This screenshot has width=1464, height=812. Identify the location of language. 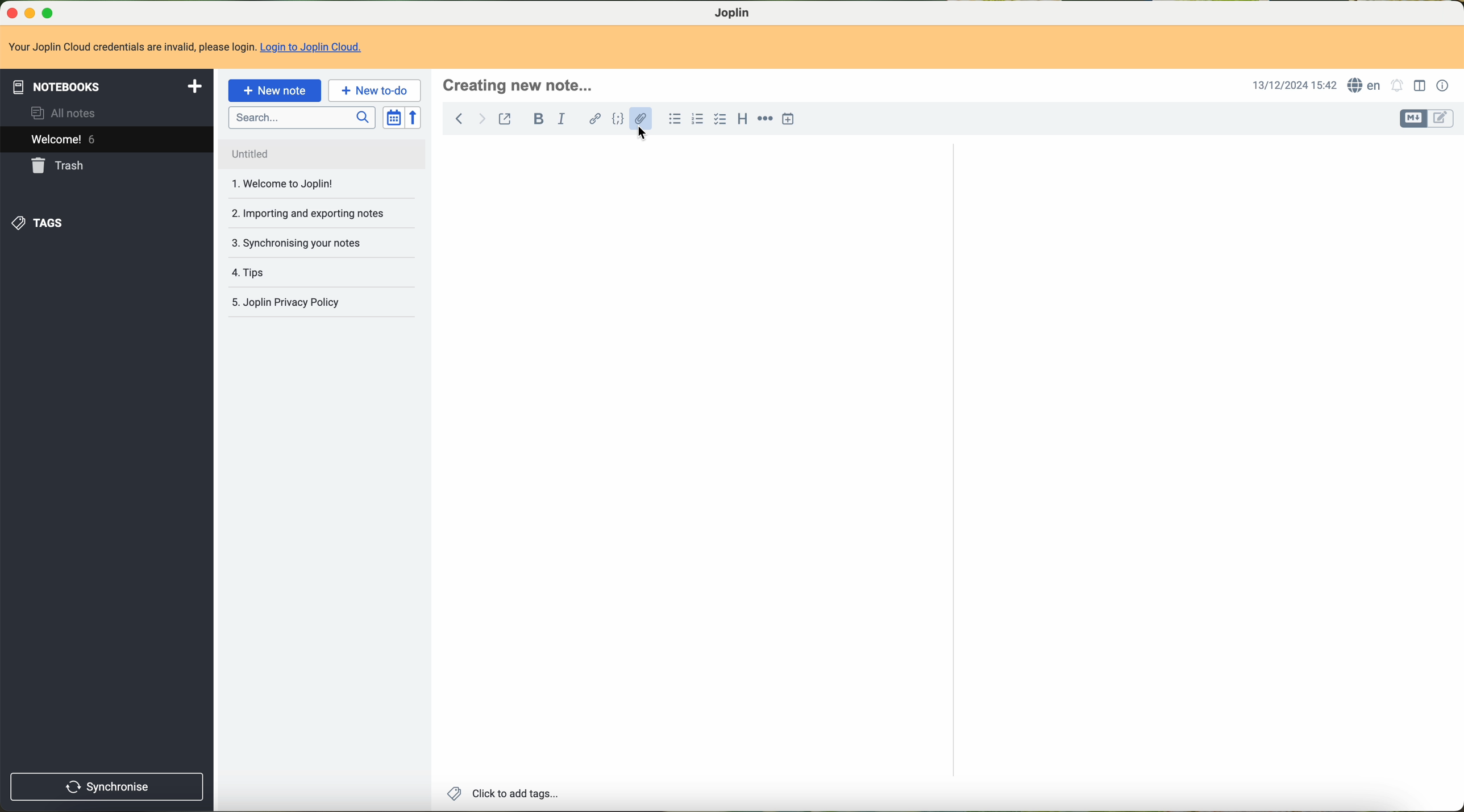
(1365, 85).